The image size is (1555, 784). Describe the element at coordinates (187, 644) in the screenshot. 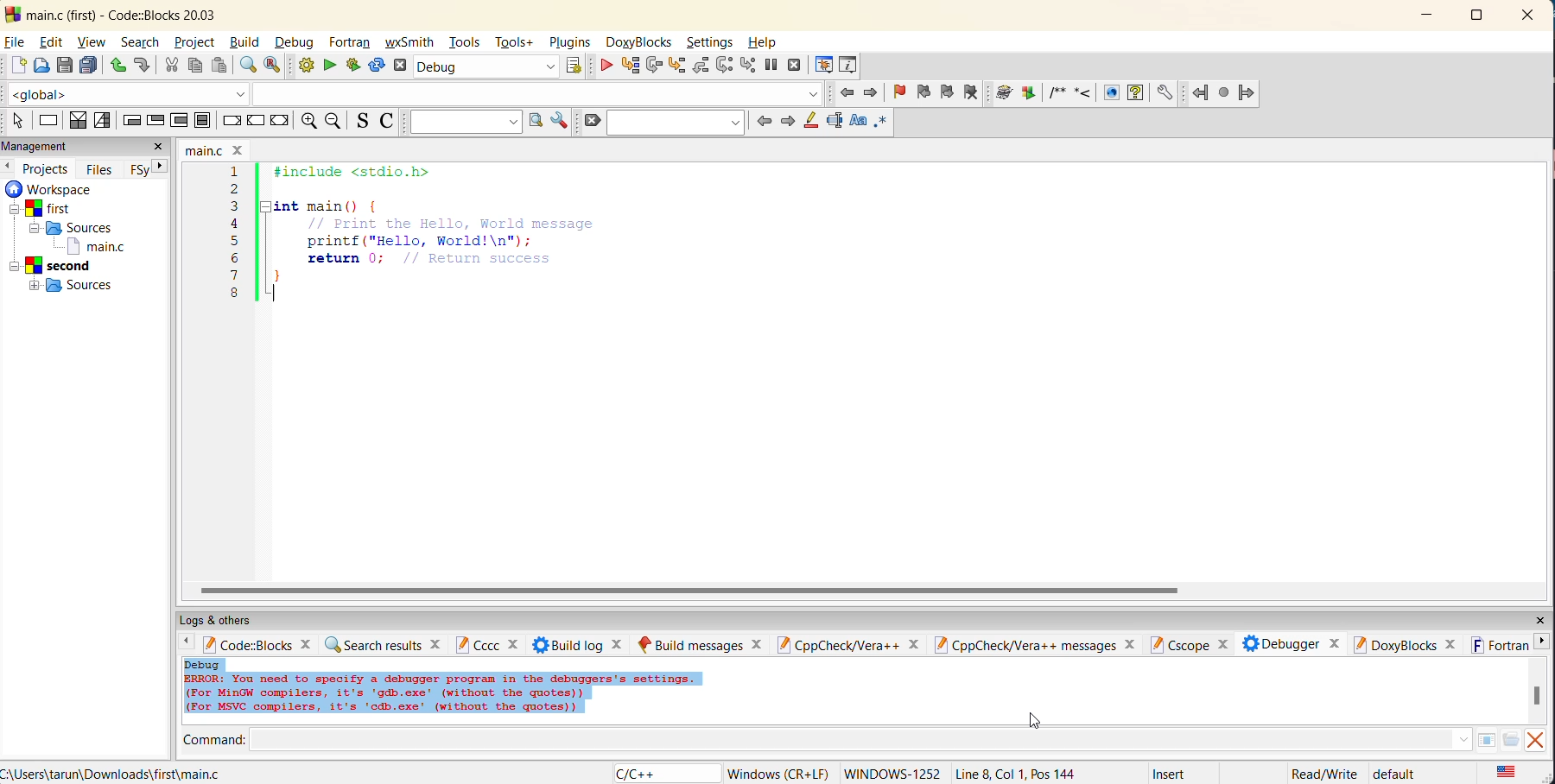

I see `previous` at that location.